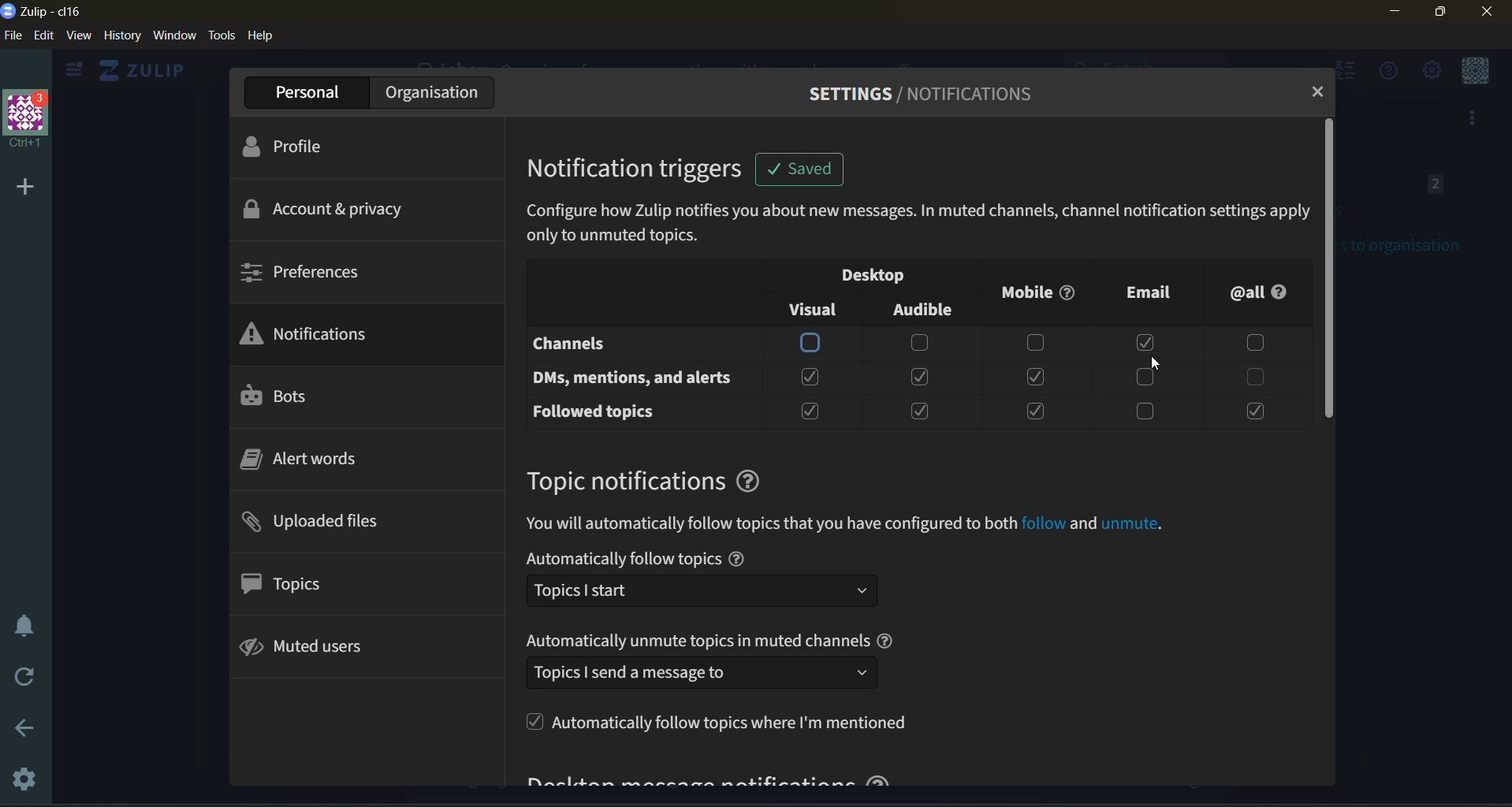 This screenshot has width=1512, height=807. I want to click on text, so click(622, 559).